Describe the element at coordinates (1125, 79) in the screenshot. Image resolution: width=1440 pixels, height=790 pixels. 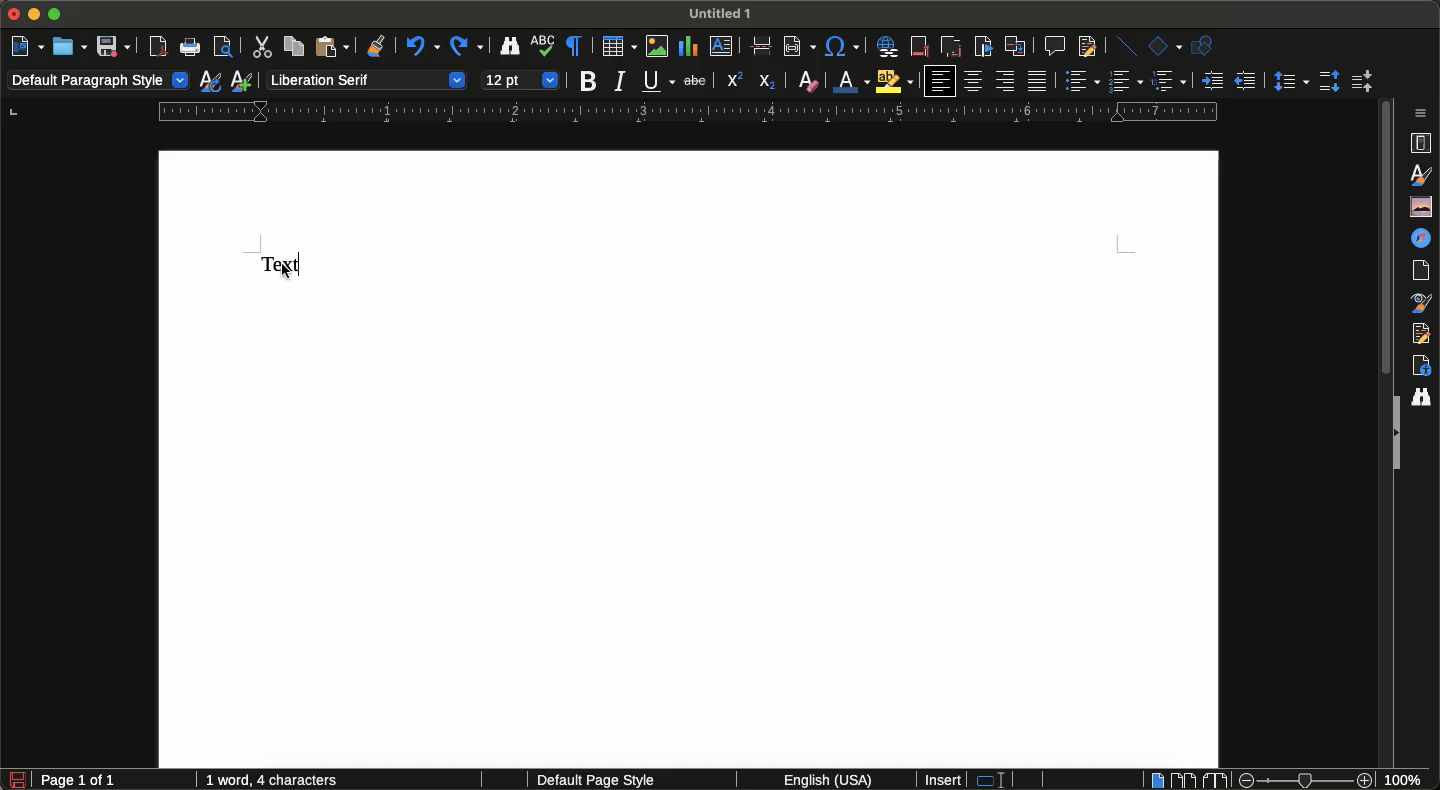
I see `Toggle ordered list` at that location.